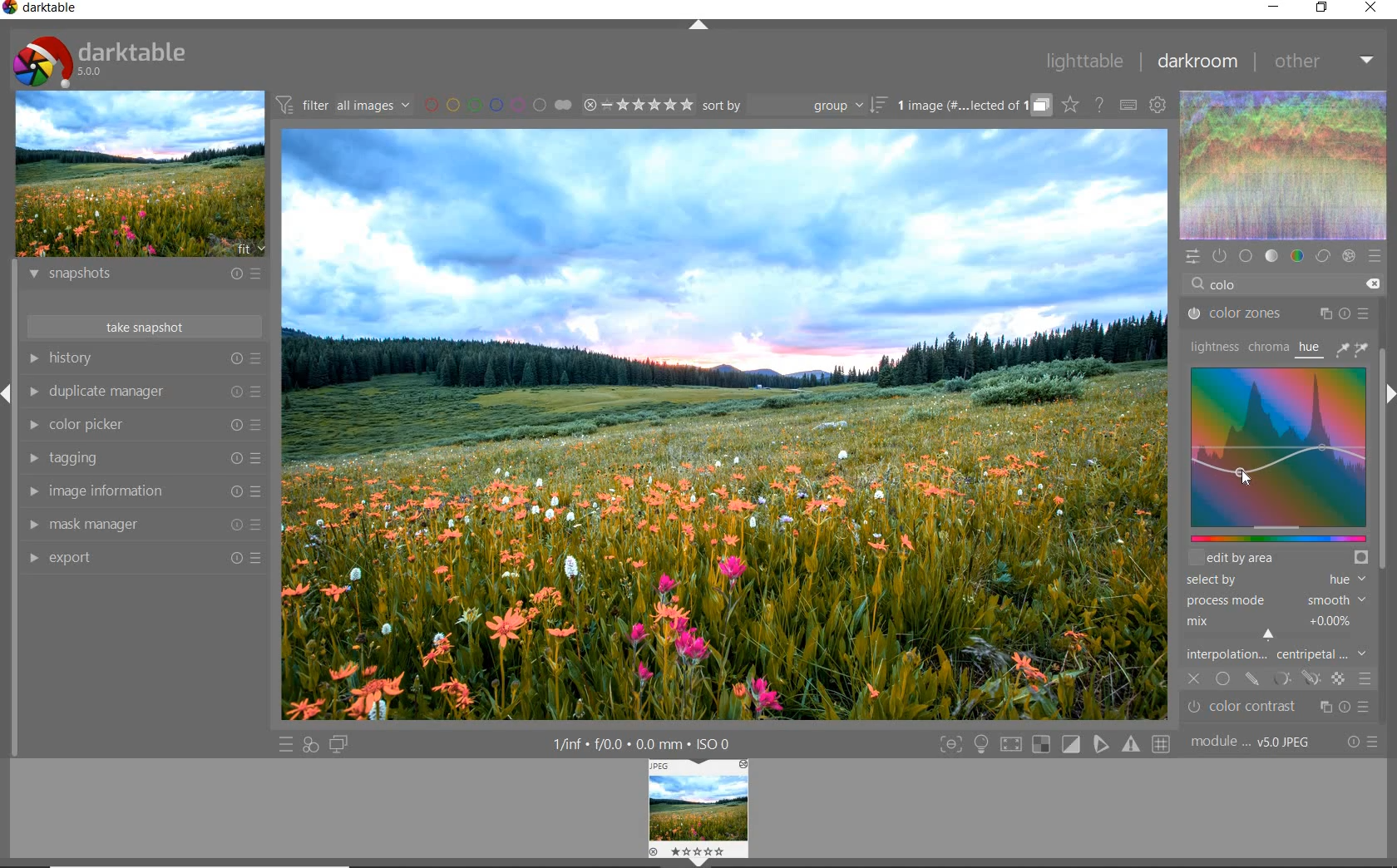 The height and width of the screenshot is (868, 1397). Describe the element at coordinates (640, 742) in the screenshot. I see `1/inf*f/0.0 mm*ISO 0` at that location.